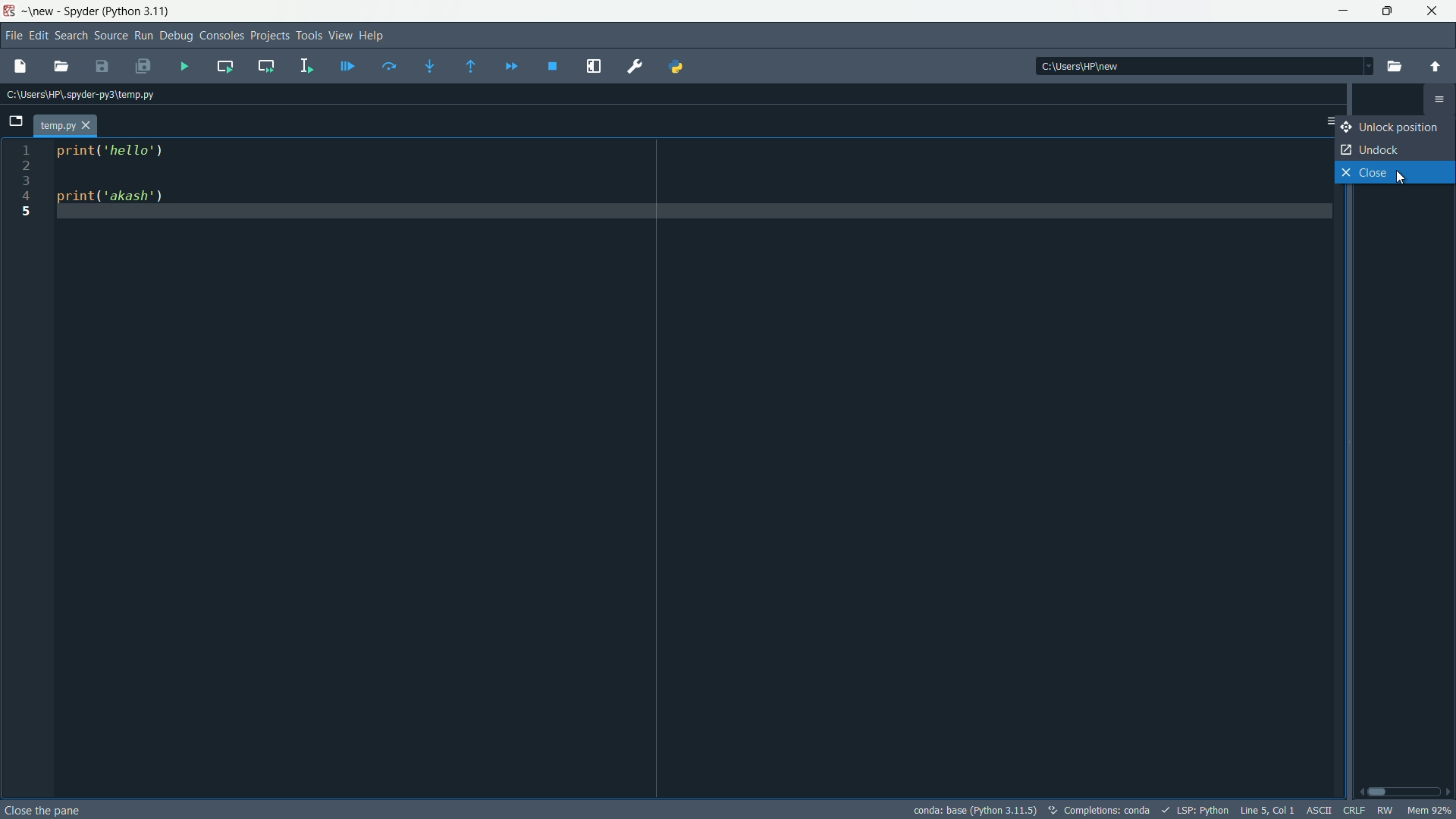 The height and width of the screenshot is (819, 1456). What do you see at coordinates (1324, 121) in the screenshot?
I see `options` at bounding box center [1324, 121].